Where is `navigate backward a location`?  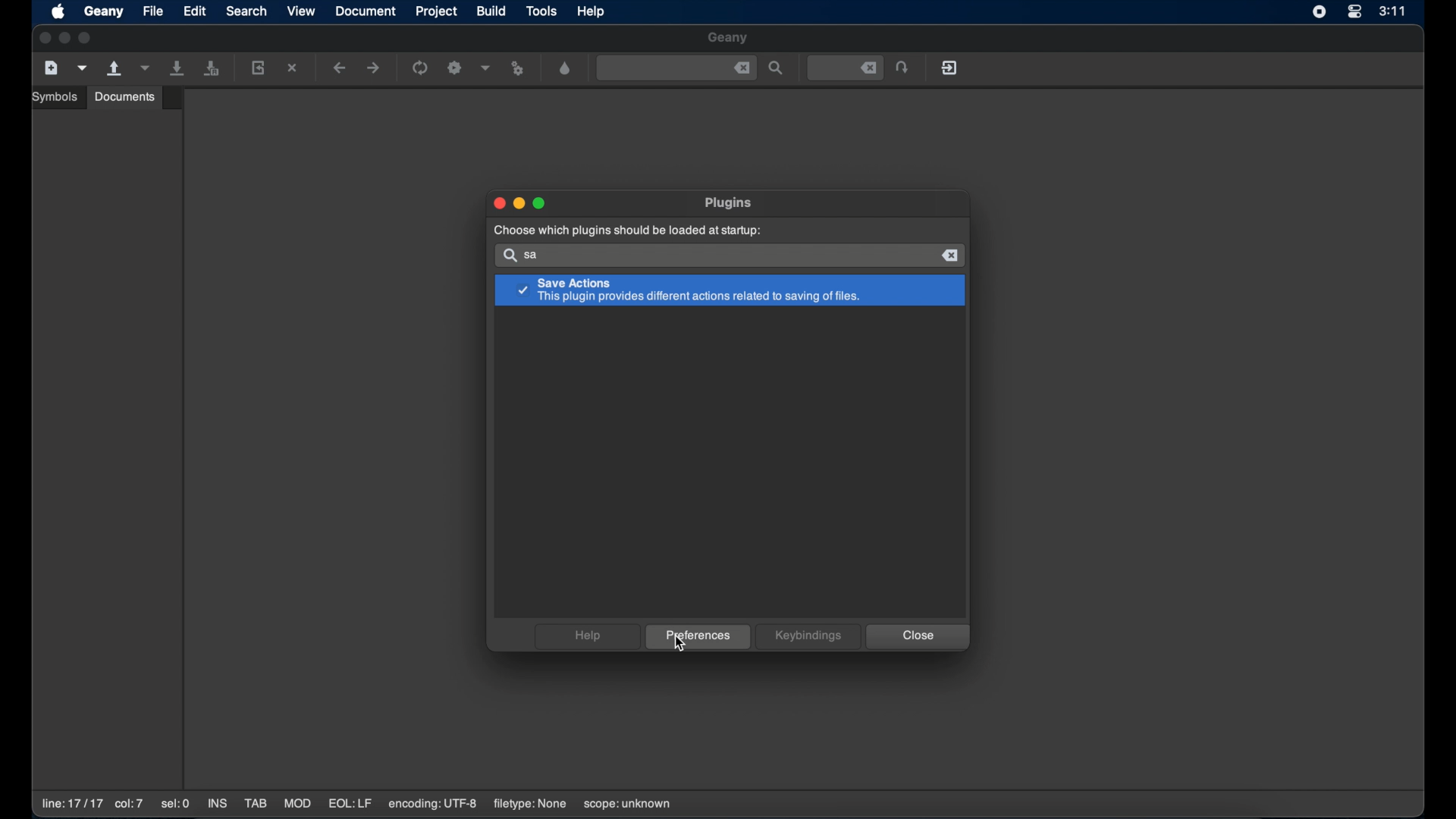
navigate backward a location is located at coordinates (340, 69).